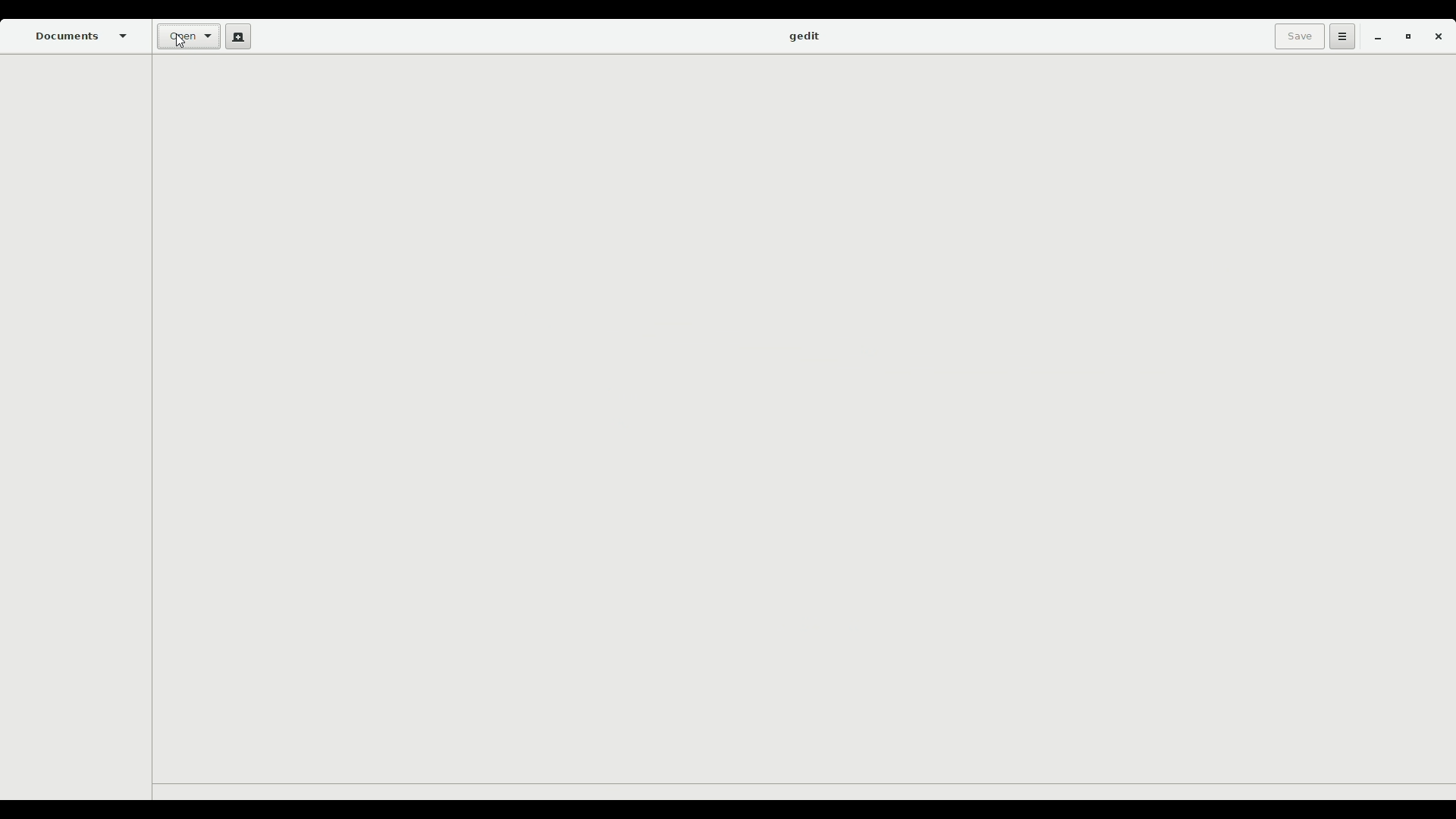 Image resolution: width=1456 pixels, height=819 pixels. Describe the element at coordinates (1340, 36) in the screenshot. I see `Options` at that location.